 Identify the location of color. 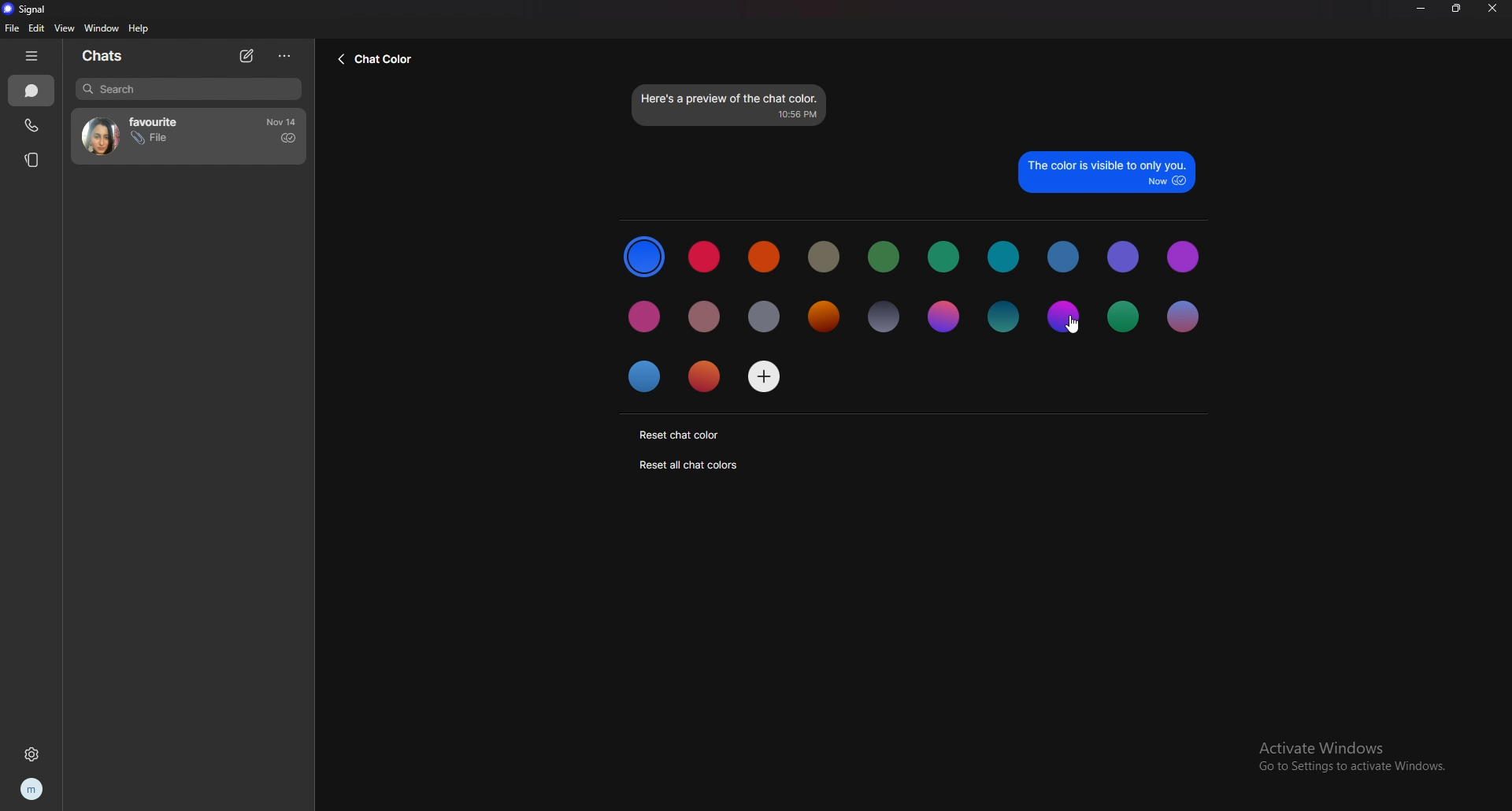
(765, 257).